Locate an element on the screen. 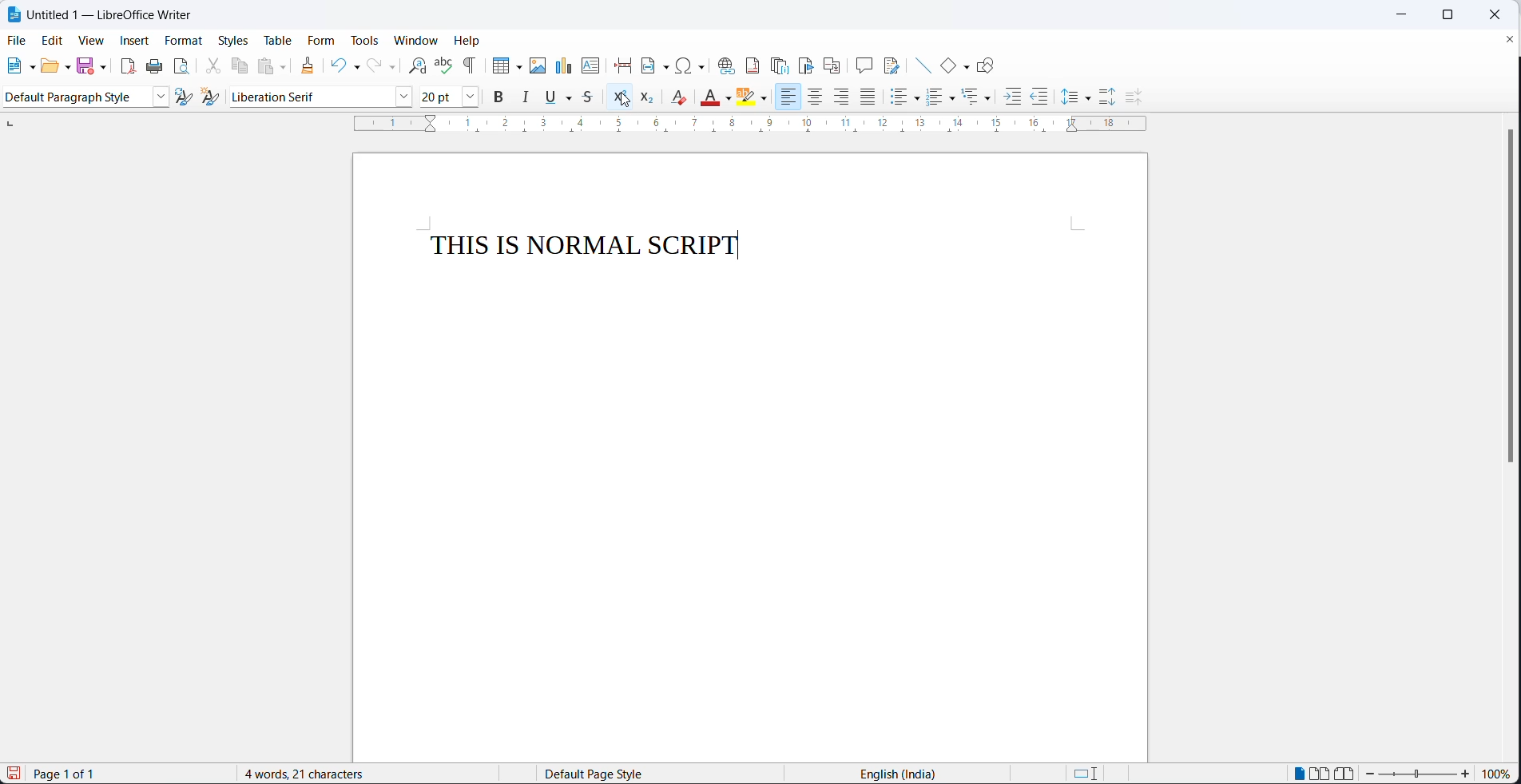 The width and height of the screenshot is (1521, 784). select outline format is located at coordinates (978, 97).